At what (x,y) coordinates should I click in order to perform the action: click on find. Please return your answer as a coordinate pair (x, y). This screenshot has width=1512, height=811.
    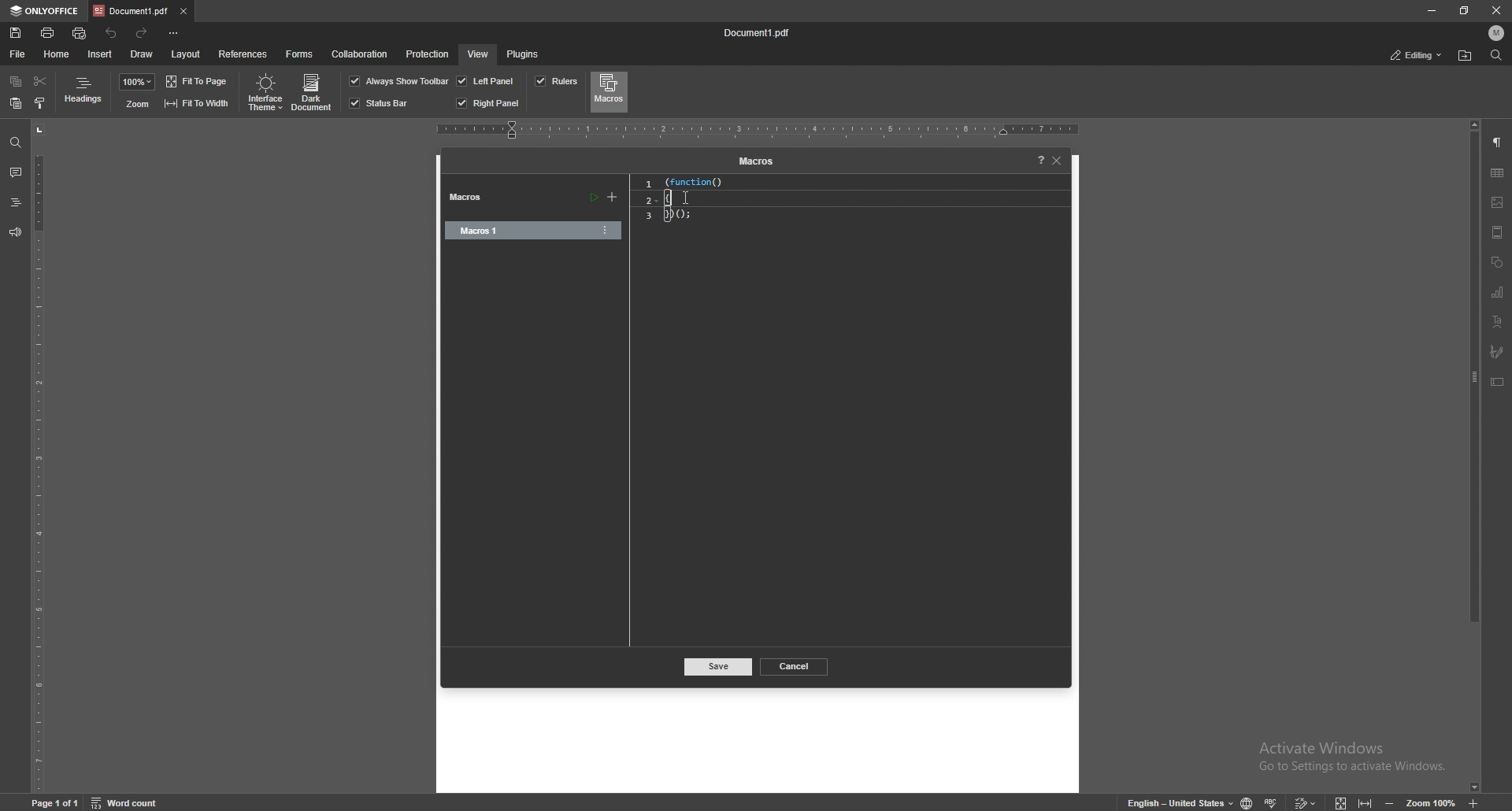
    Looking at the image, I should click on (16, 143).